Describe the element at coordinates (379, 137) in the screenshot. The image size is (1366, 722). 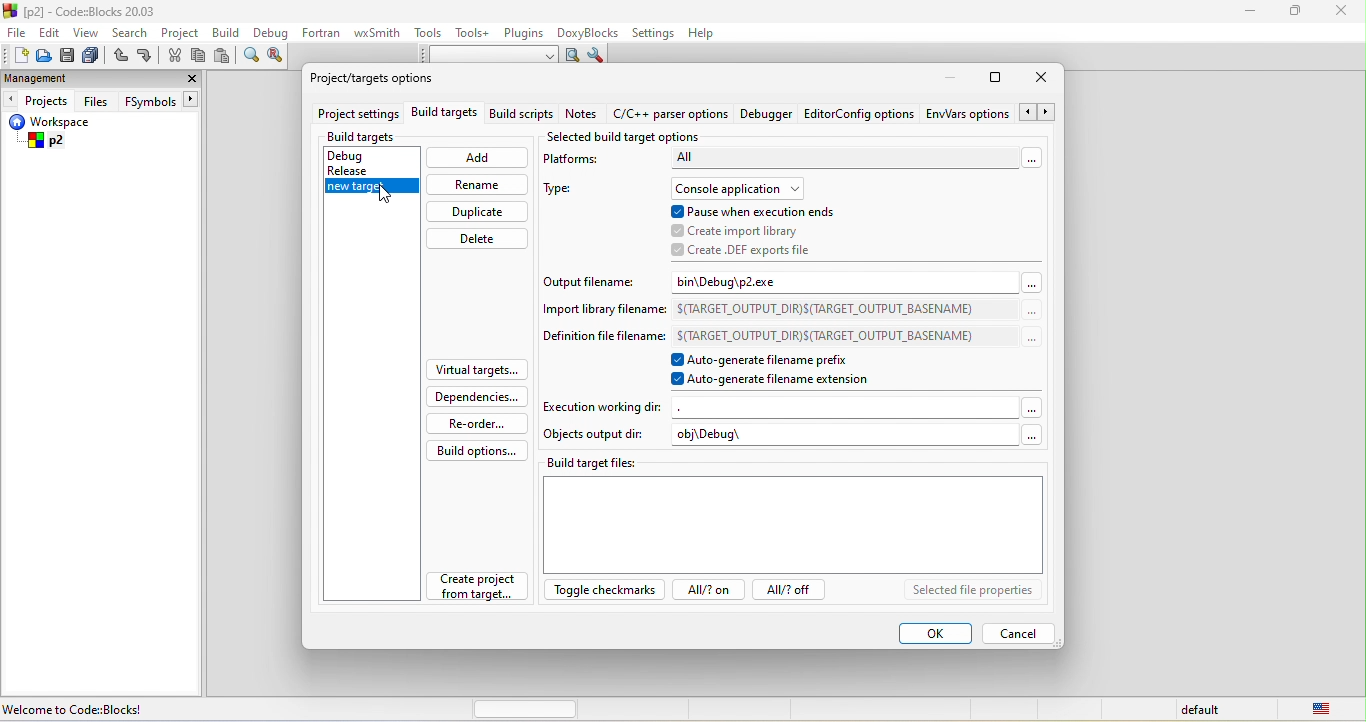
I see `build targets` at that location.